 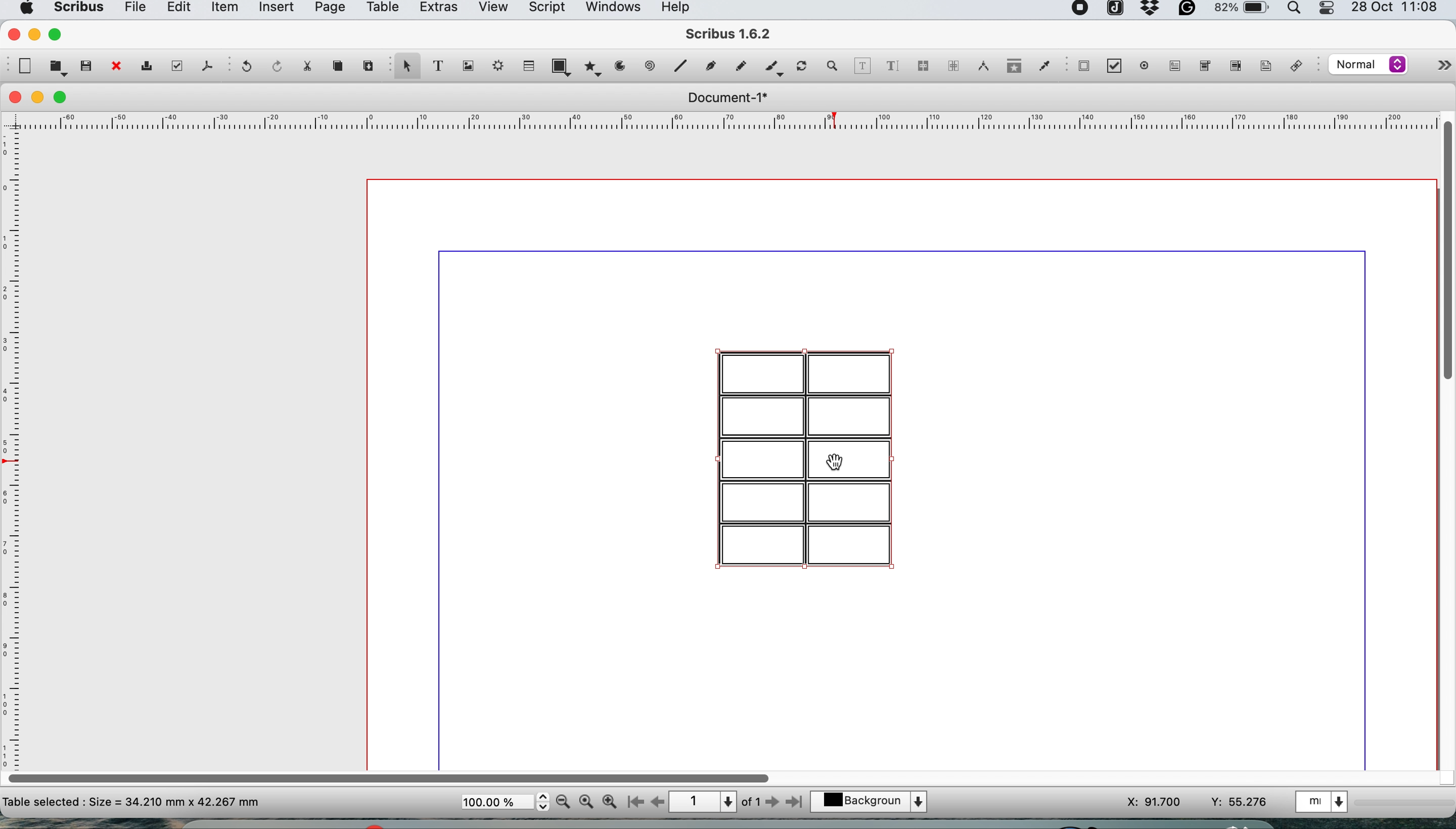 I want to click on text frame, so click(x=437, y=68).